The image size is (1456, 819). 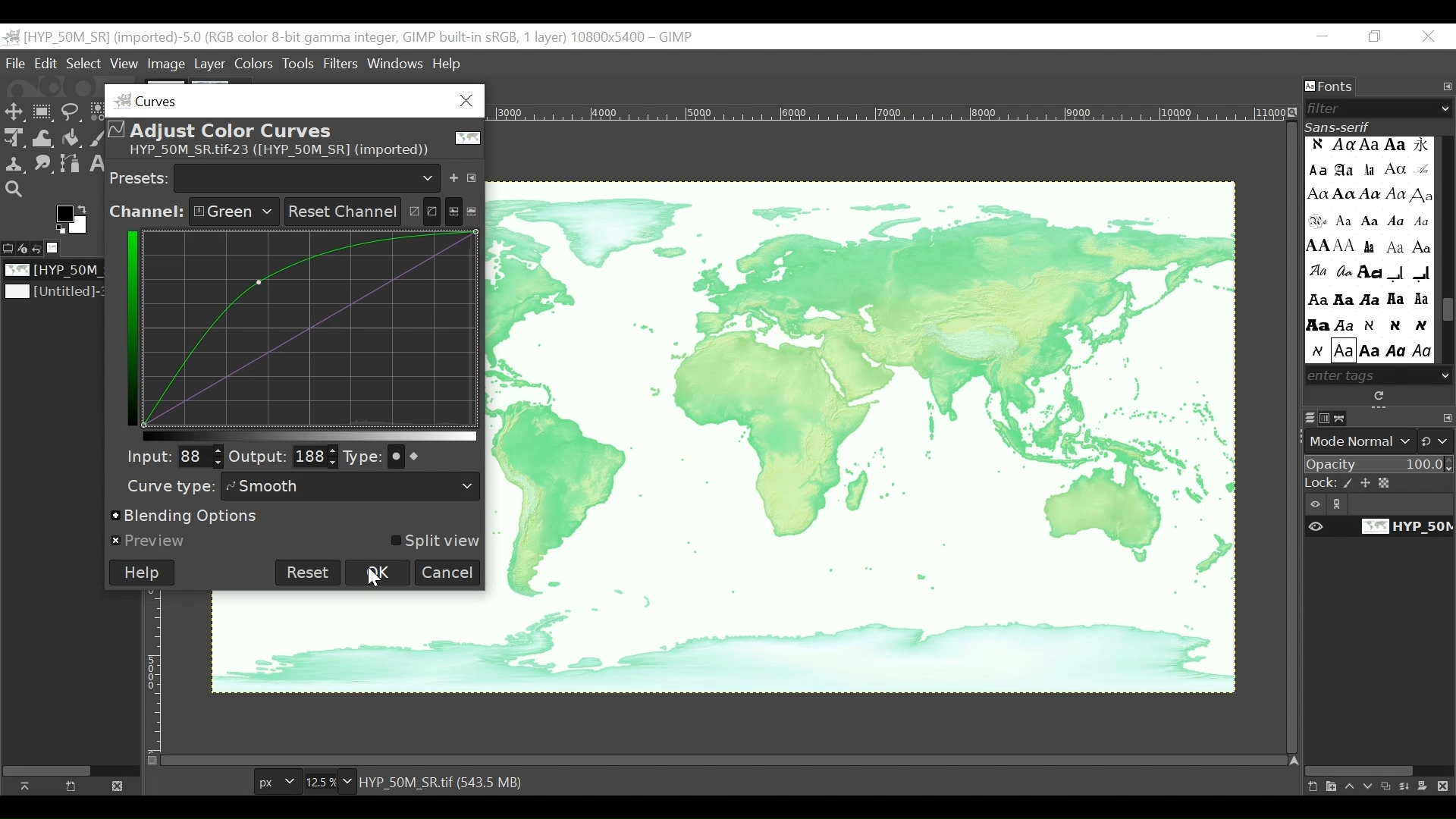 I want to click on Tools, so click(x=302, y=63).